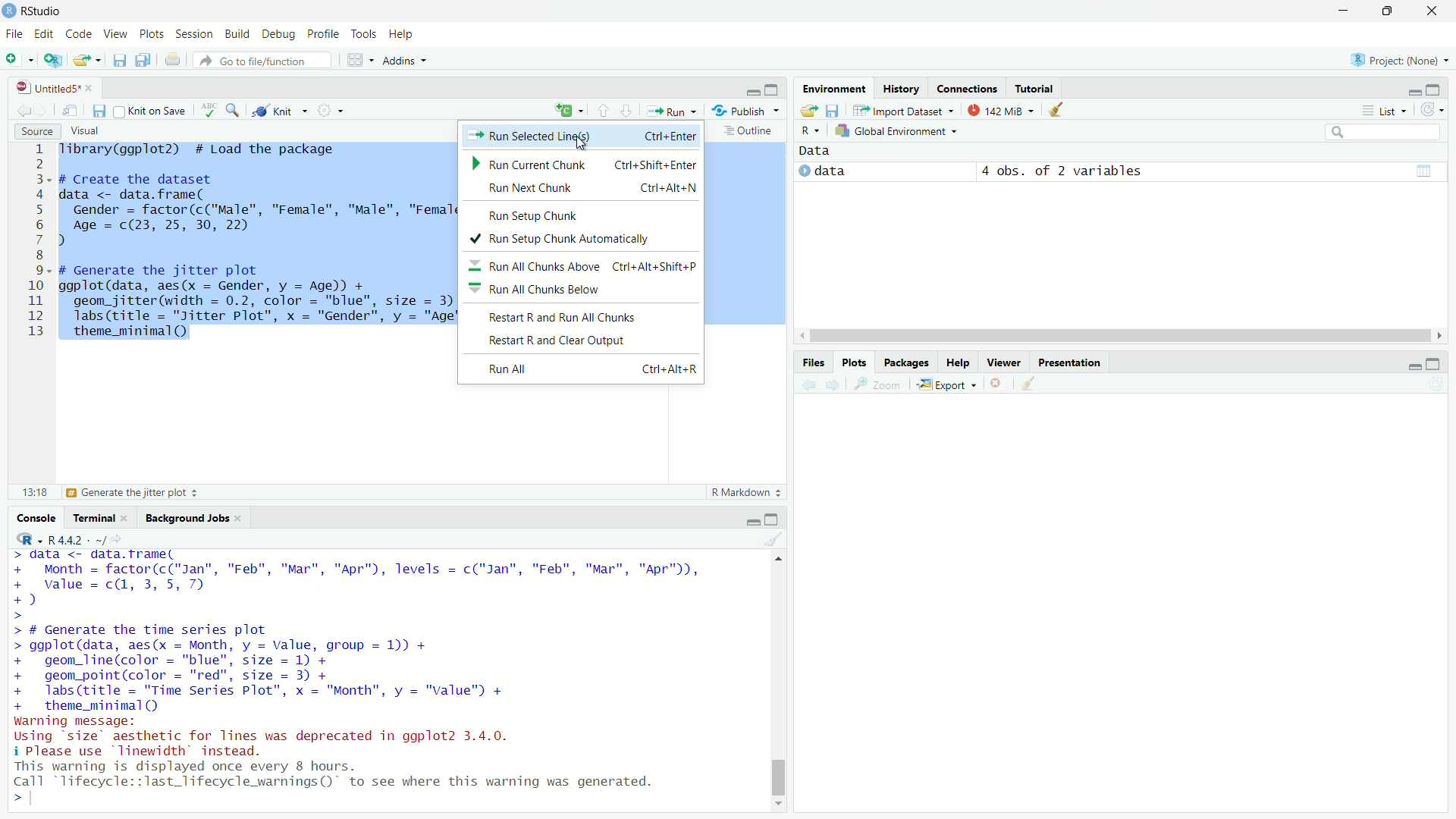 Image resolution: width=1456 pixels, height=819 pixels. What do you see at coordinates (136, 493) in the screenshot?
I see `generate the jitter plot` at bounding box center [136, 493].